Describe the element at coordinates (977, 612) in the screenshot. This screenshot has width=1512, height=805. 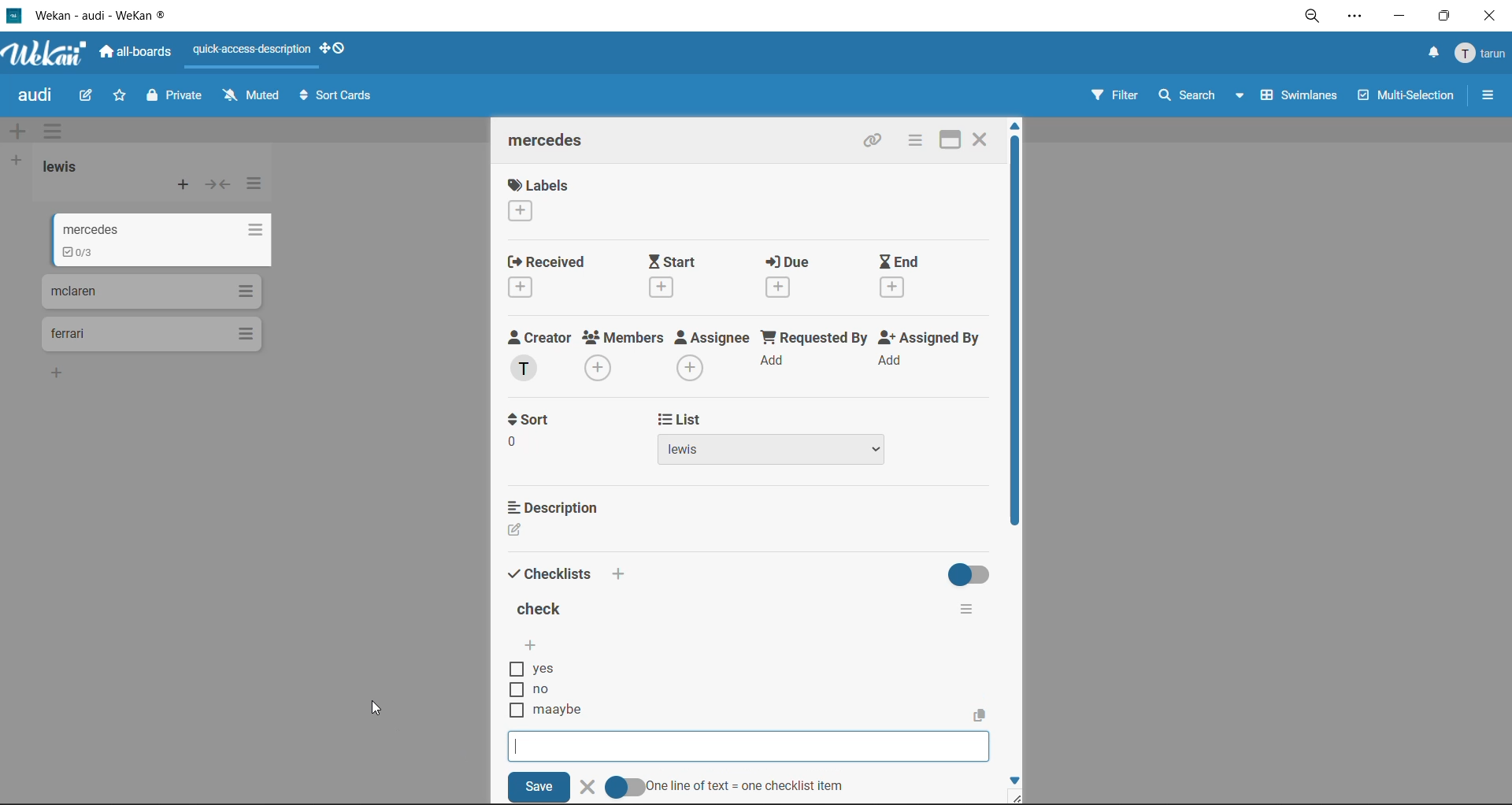
I see `checklist actions` at that location.